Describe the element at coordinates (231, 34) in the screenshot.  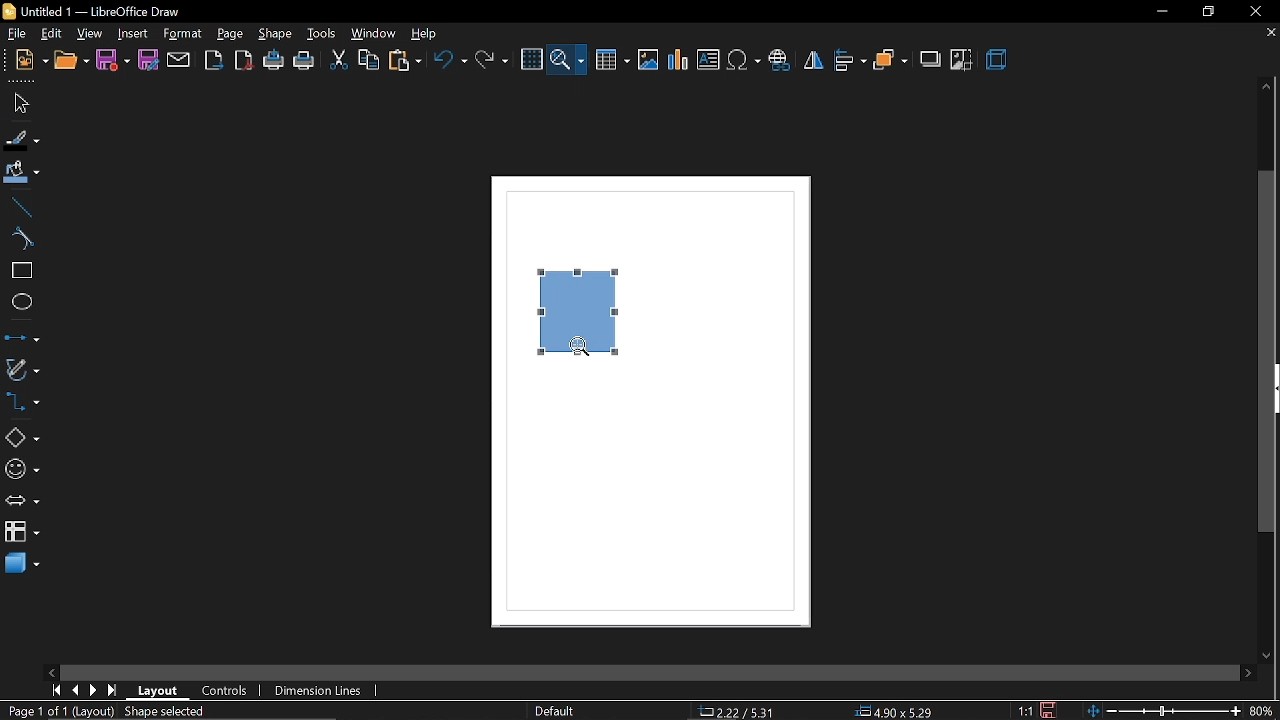
I see `page` at that location.